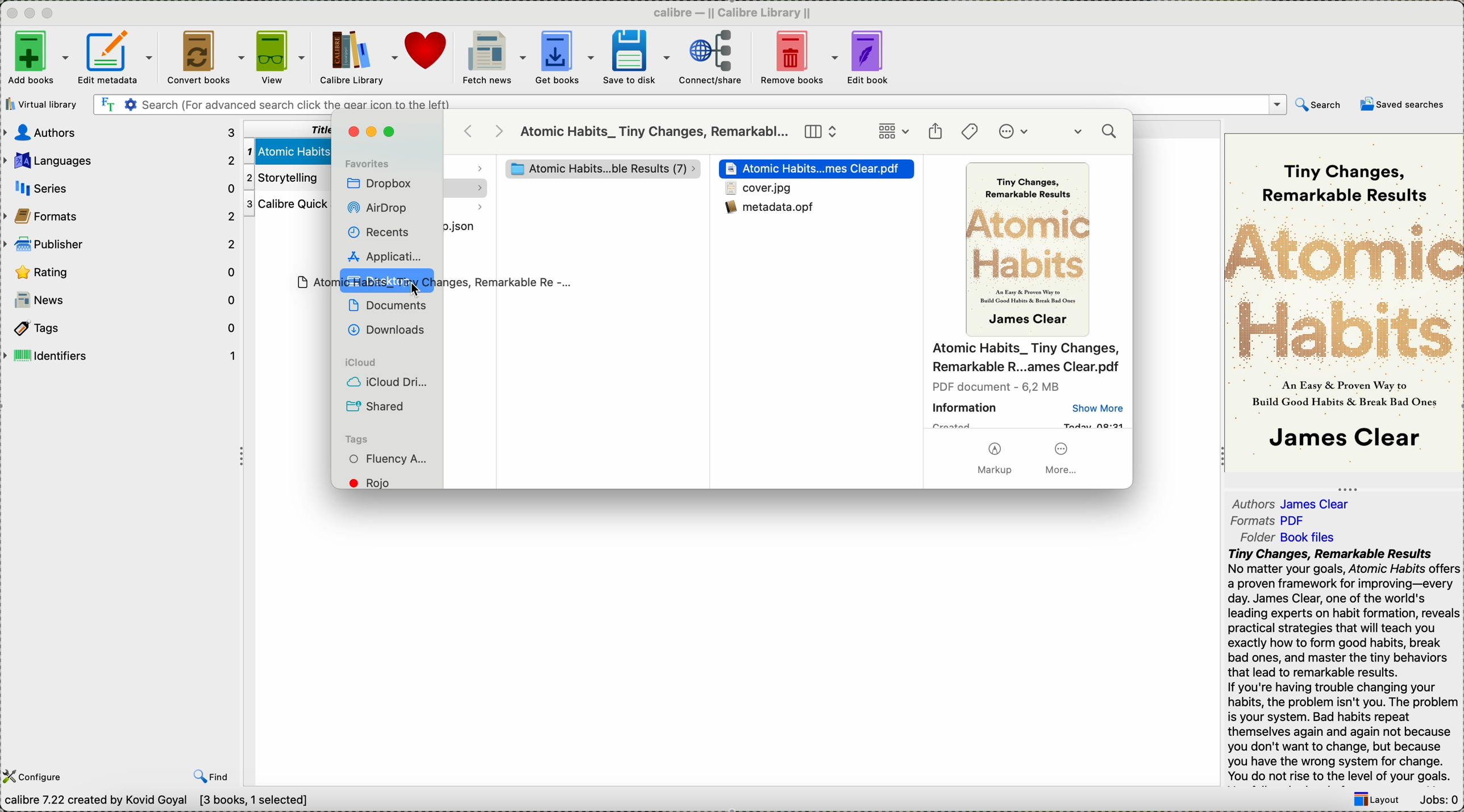 The image size is (1464, 812). I want to click on Atomic Habbits, so click(818, 169).